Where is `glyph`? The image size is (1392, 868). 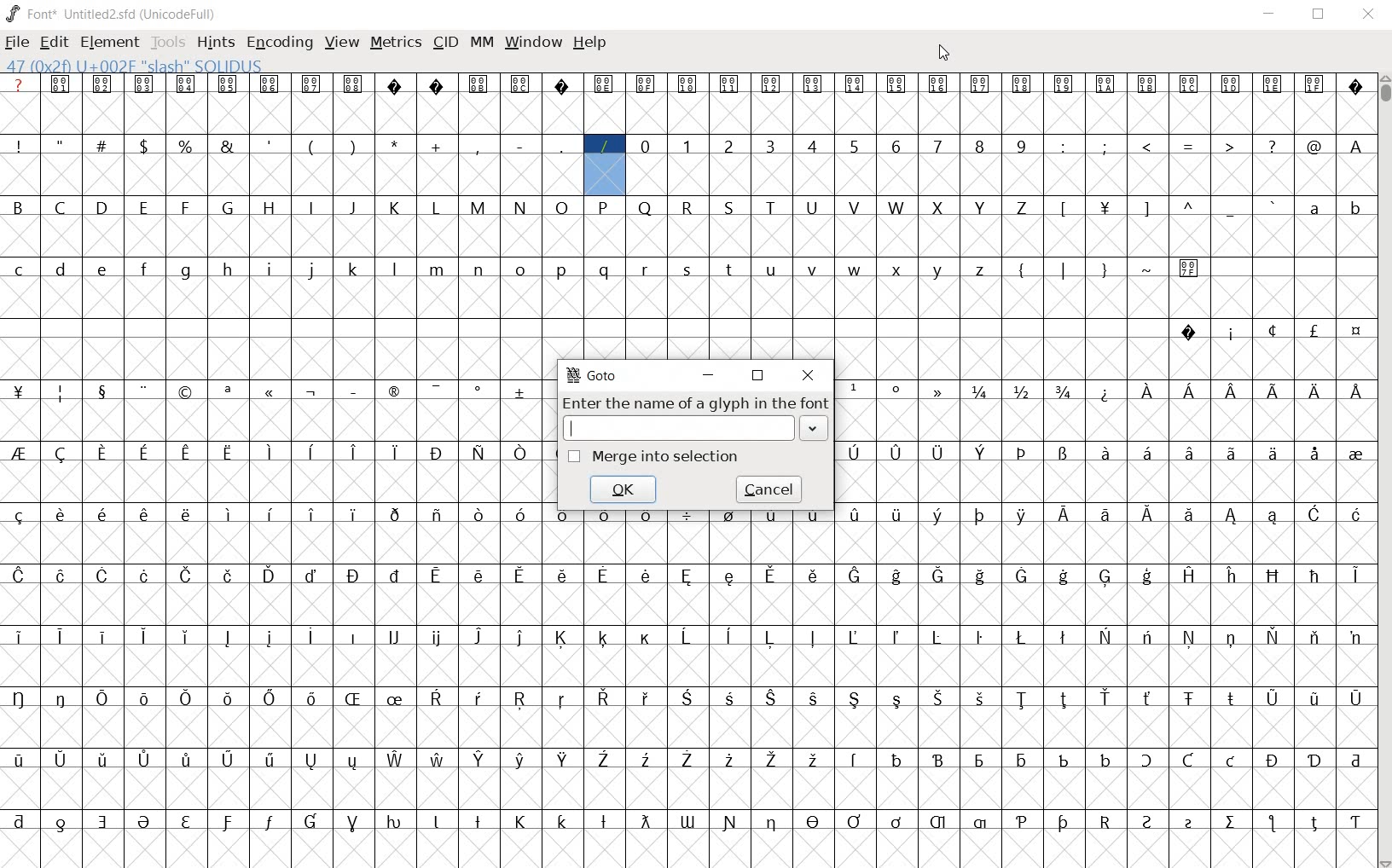 glyph is located at coordinates (144, 84).